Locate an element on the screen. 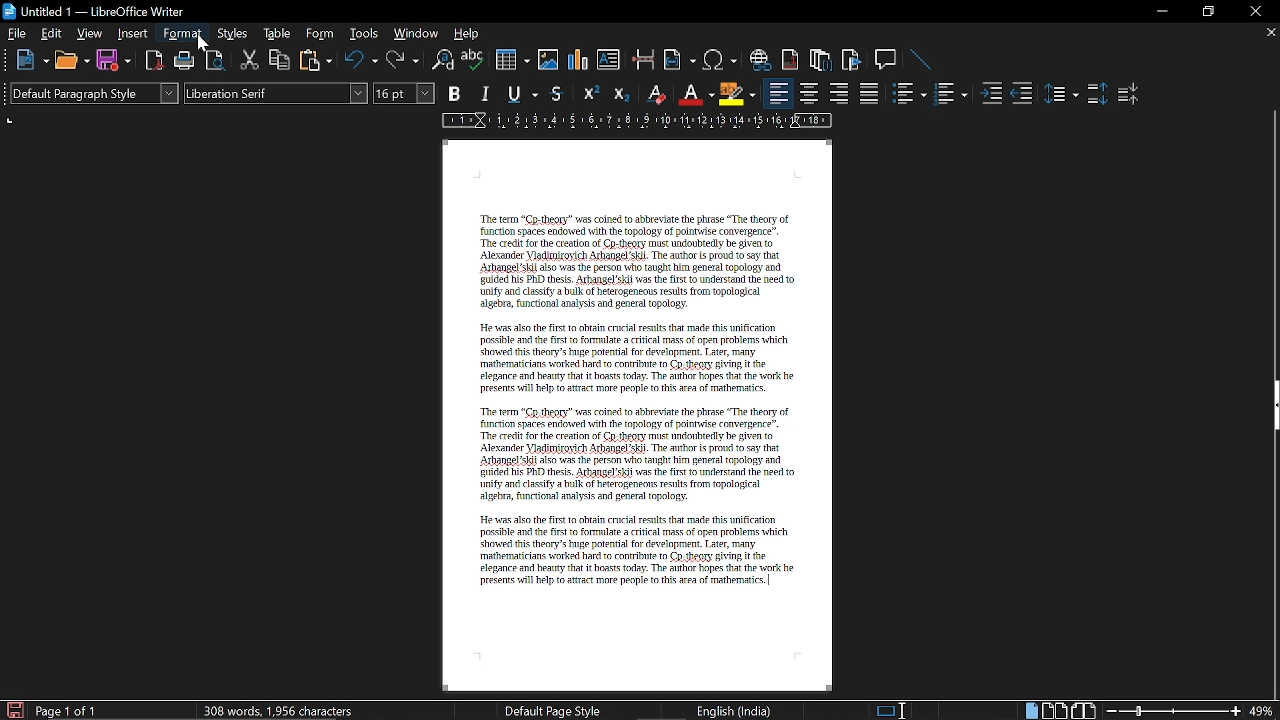 This screenshot has height=720, width=1280. insert diagram  is located at coordinates (580, 61).